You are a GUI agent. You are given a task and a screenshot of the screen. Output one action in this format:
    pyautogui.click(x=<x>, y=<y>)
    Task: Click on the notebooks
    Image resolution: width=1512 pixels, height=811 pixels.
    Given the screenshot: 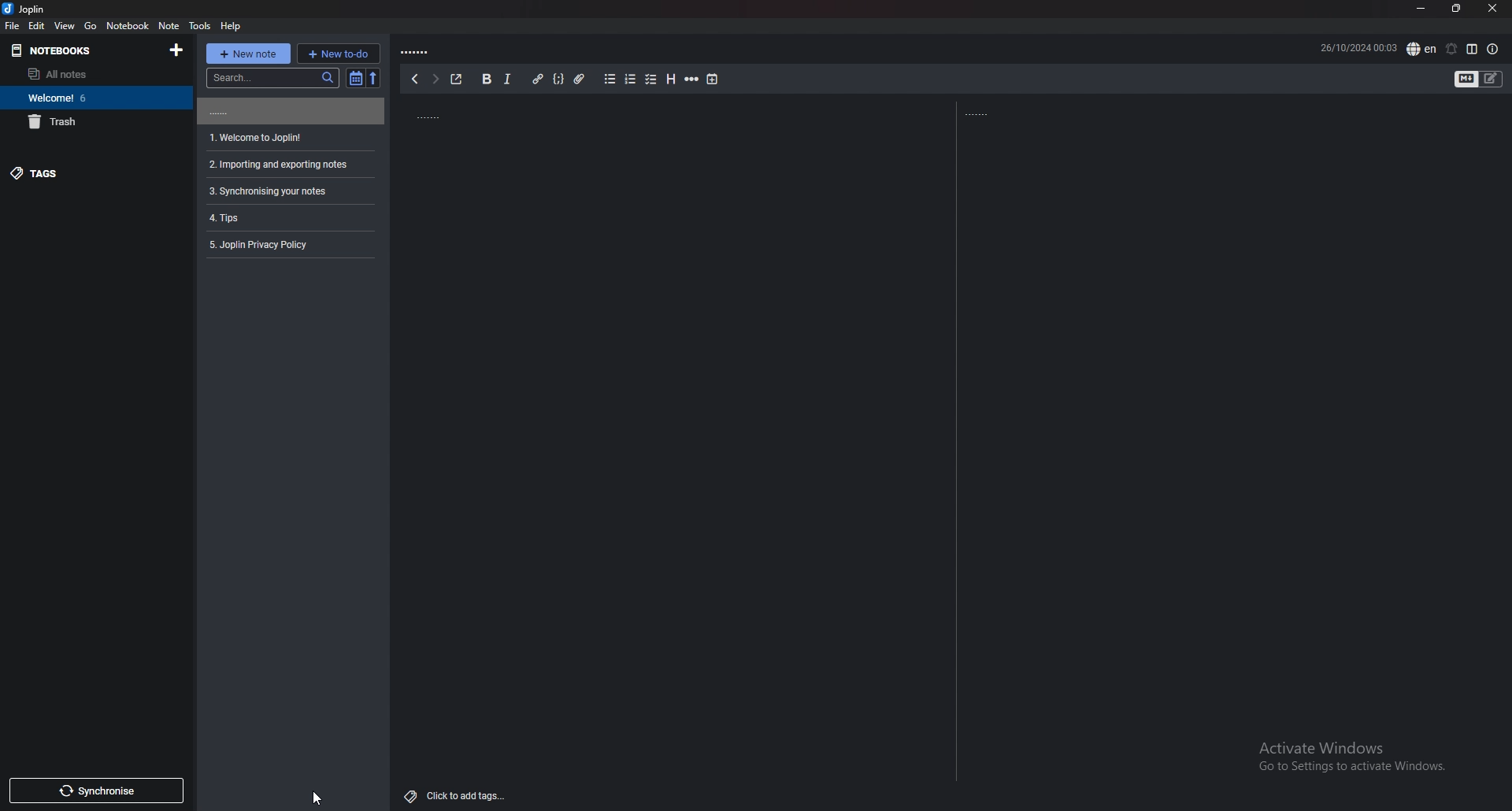 What is the action you would take?
    pyautogui.click(x=50, y=50)
    